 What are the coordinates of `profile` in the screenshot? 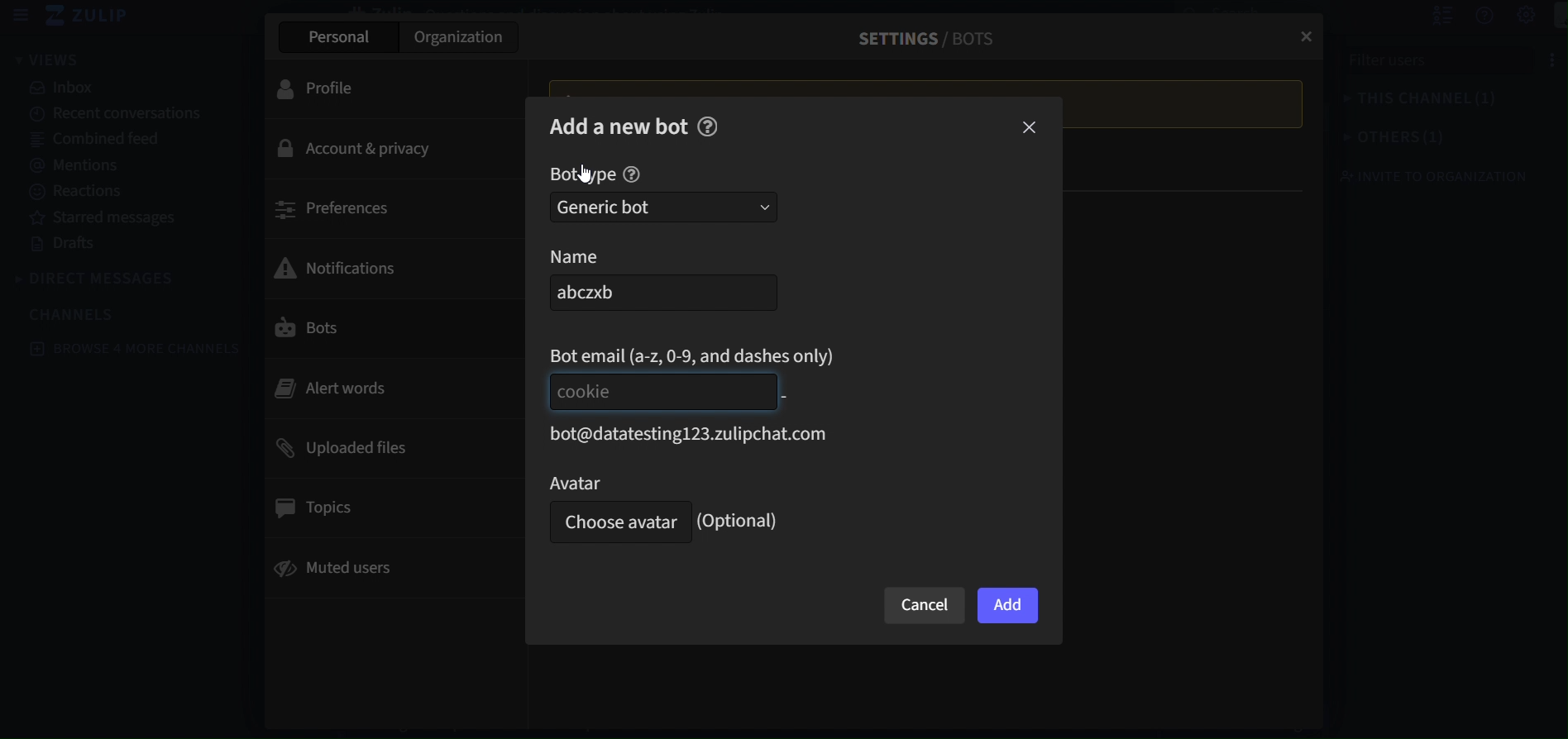 It's located at (381, 87).